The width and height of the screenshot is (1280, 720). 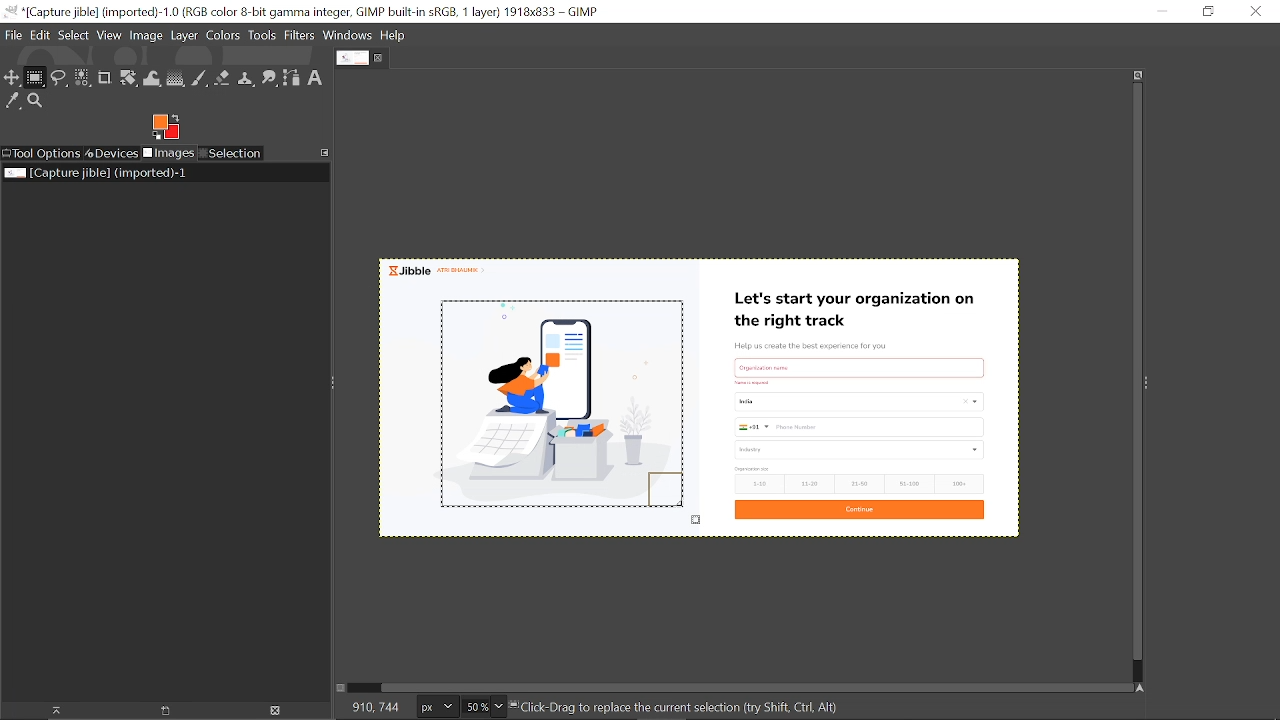 I want to click on Click-Drag to create current selection (try(Shift,Ctrl,Alt), so click(x=695, y=709).